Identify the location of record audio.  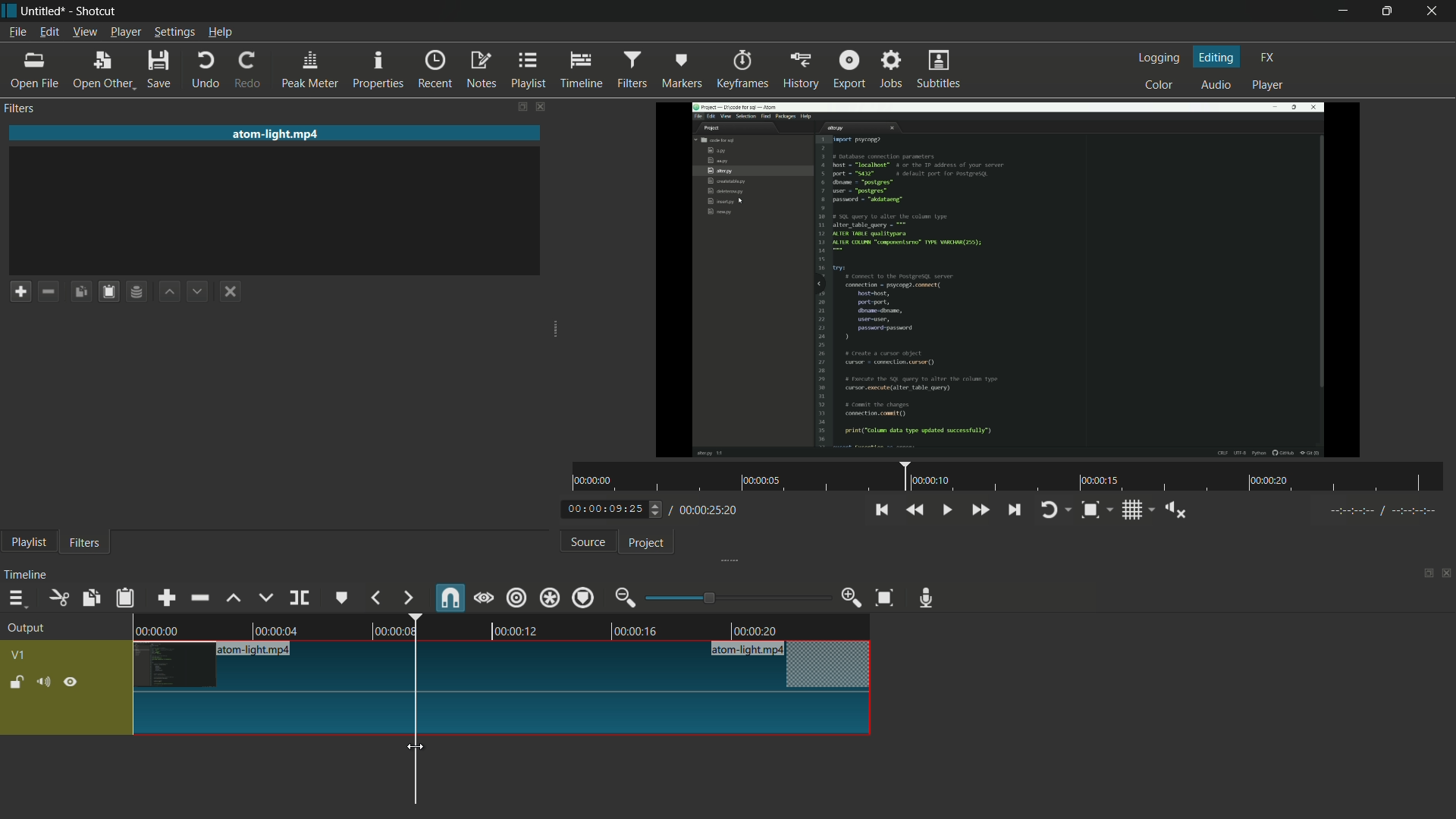
(930, 598).